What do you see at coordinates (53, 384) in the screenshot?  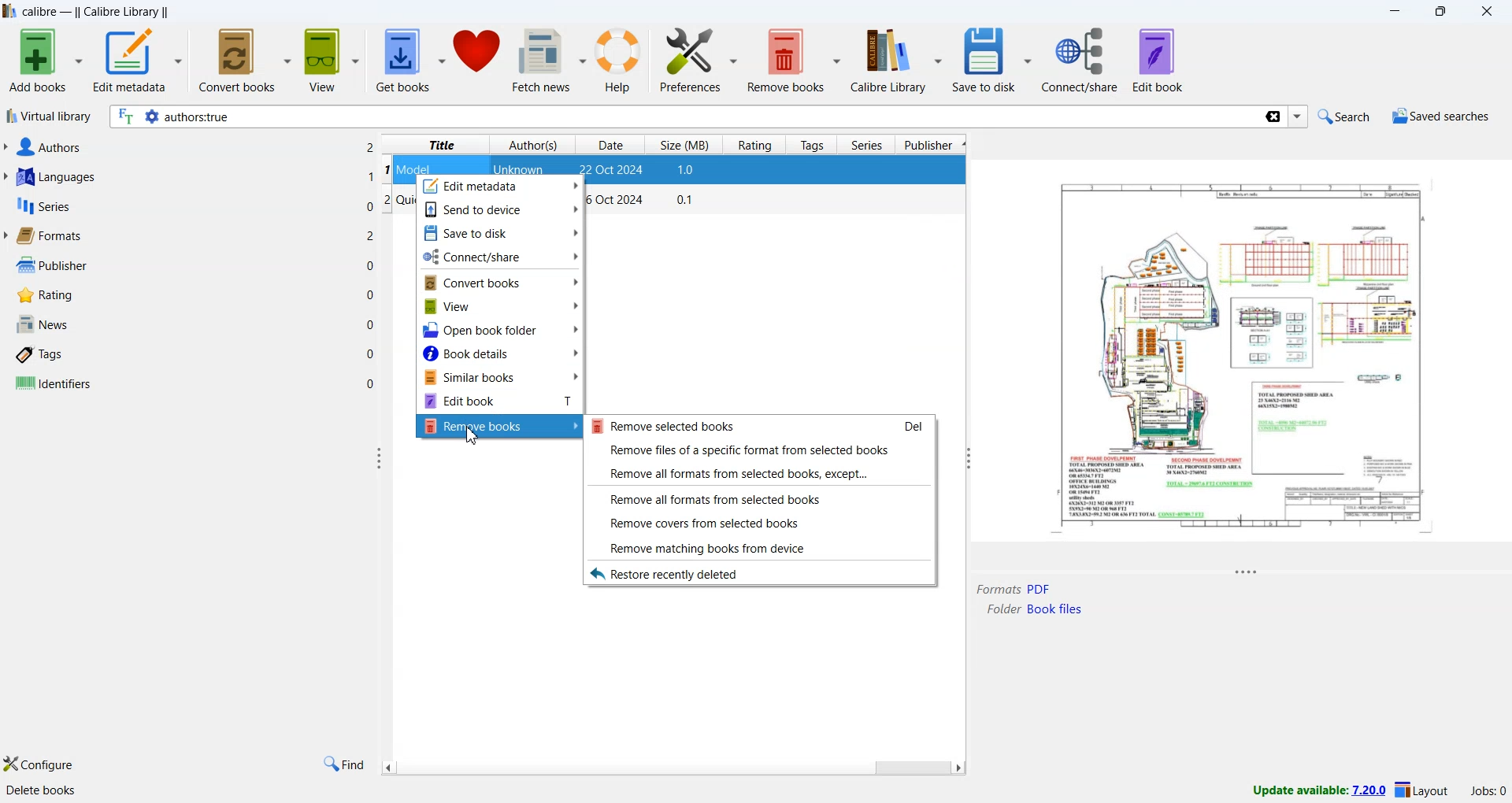 I see `identifiers` at bounding box center [53, 384].